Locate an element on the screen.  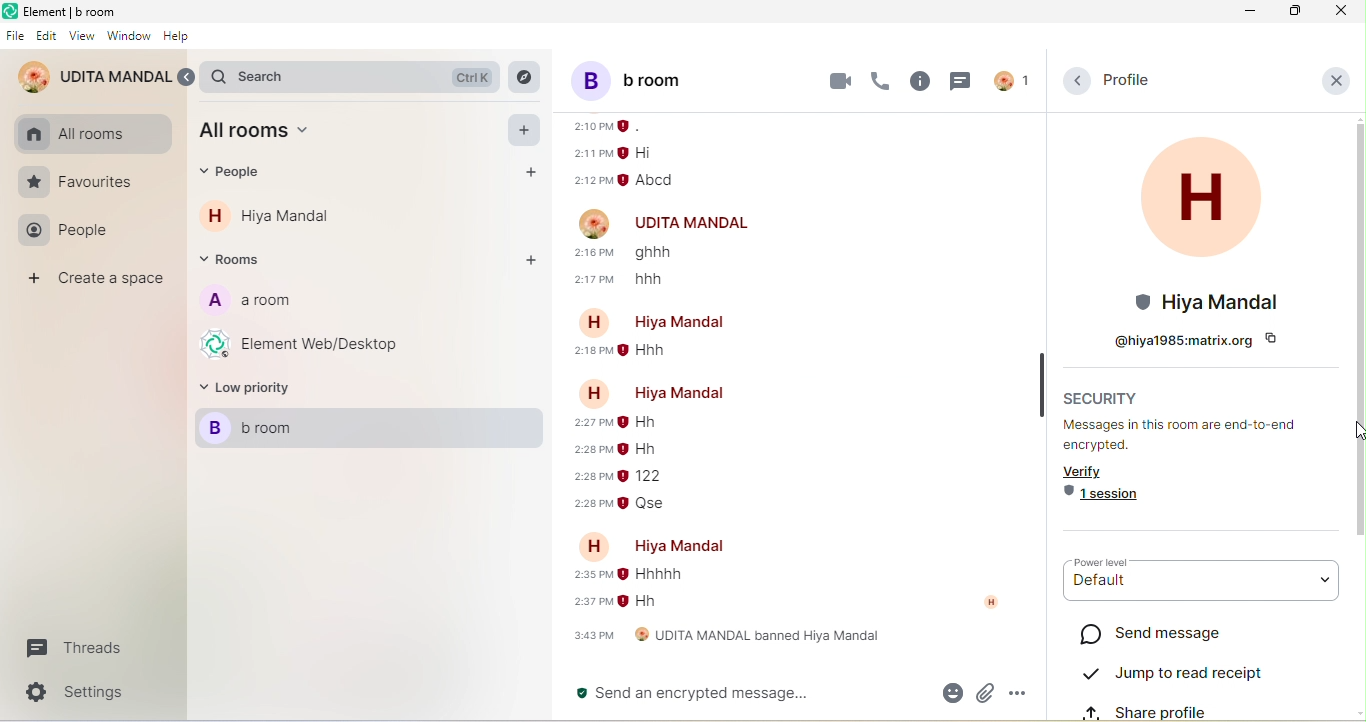
rooms is located at coordinates (238, 260).